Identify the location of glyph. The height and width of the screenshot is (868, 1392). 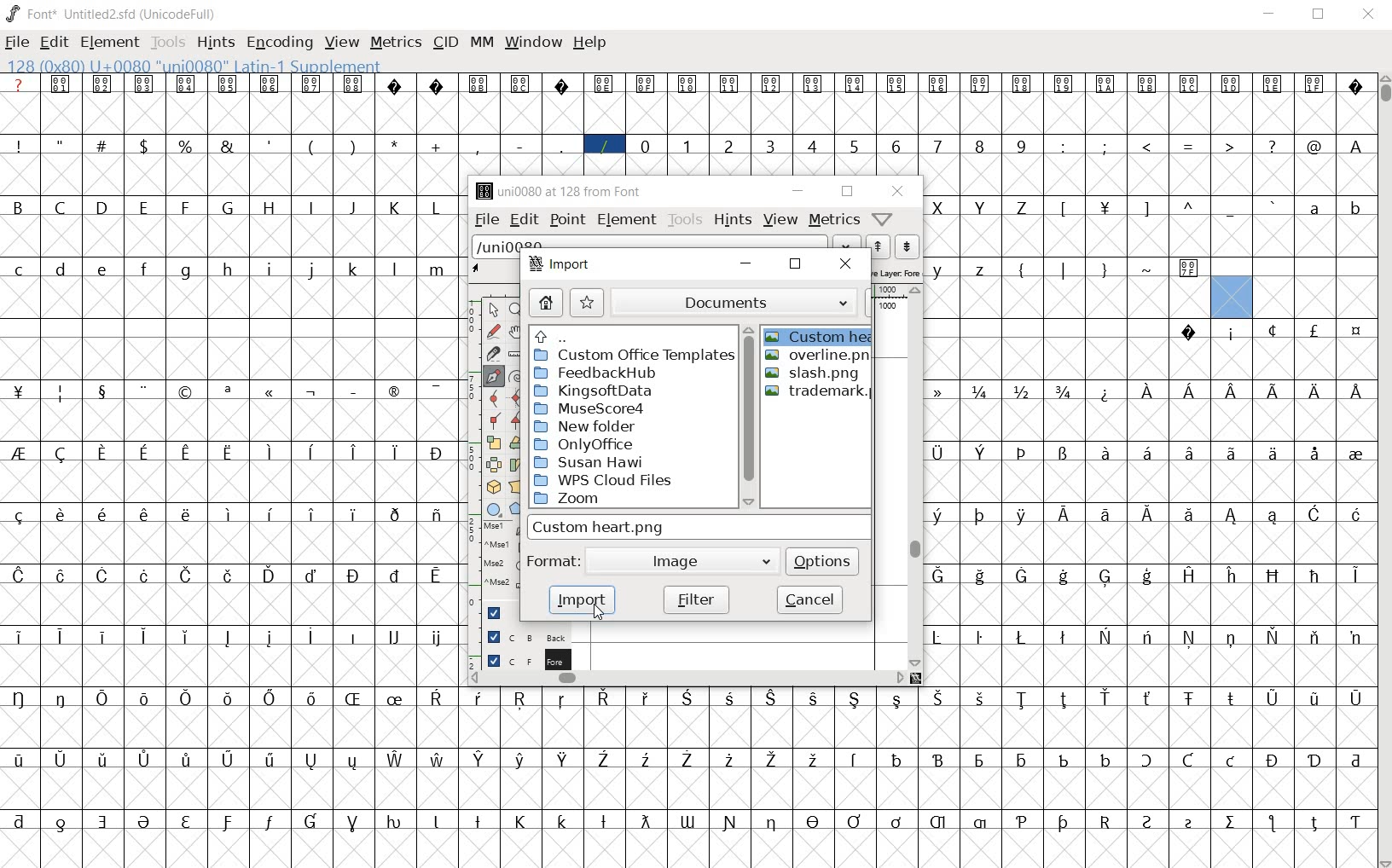
(186, 84).